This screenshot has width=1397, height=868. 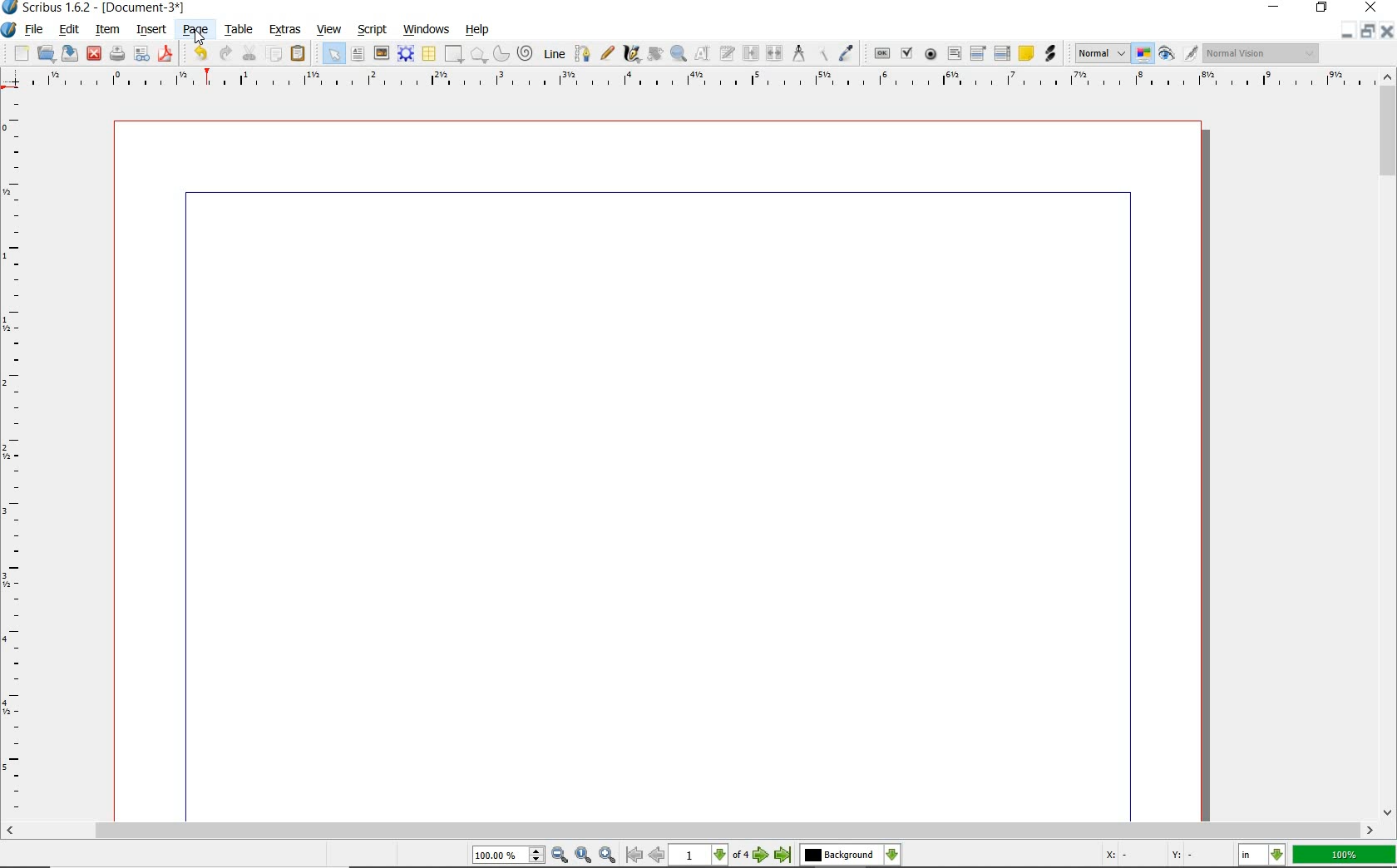 I want to click on page, so click(x=192, y=28).